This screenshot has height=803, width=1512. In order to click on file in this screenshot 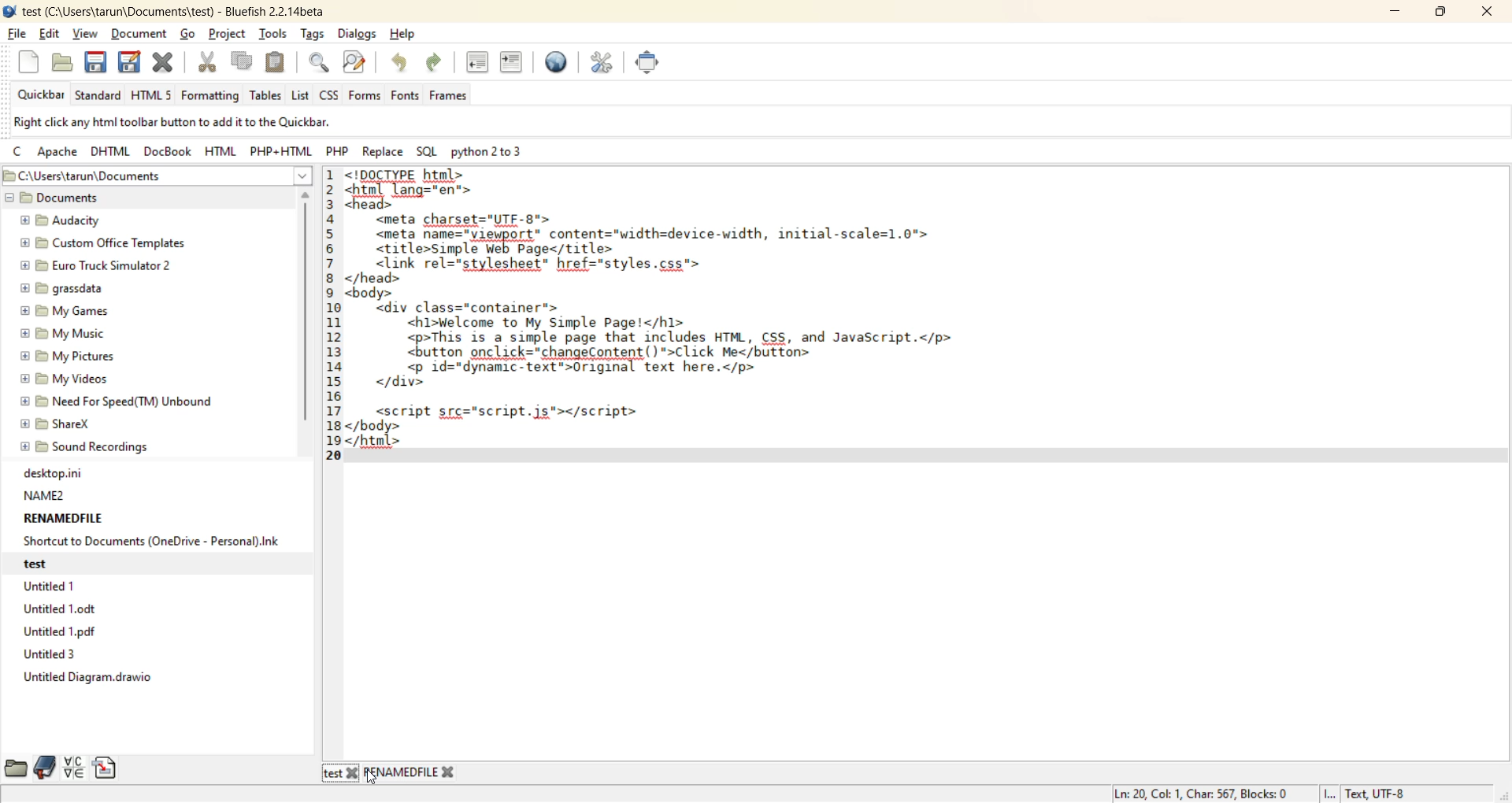, I will do `click(15, 34)`.